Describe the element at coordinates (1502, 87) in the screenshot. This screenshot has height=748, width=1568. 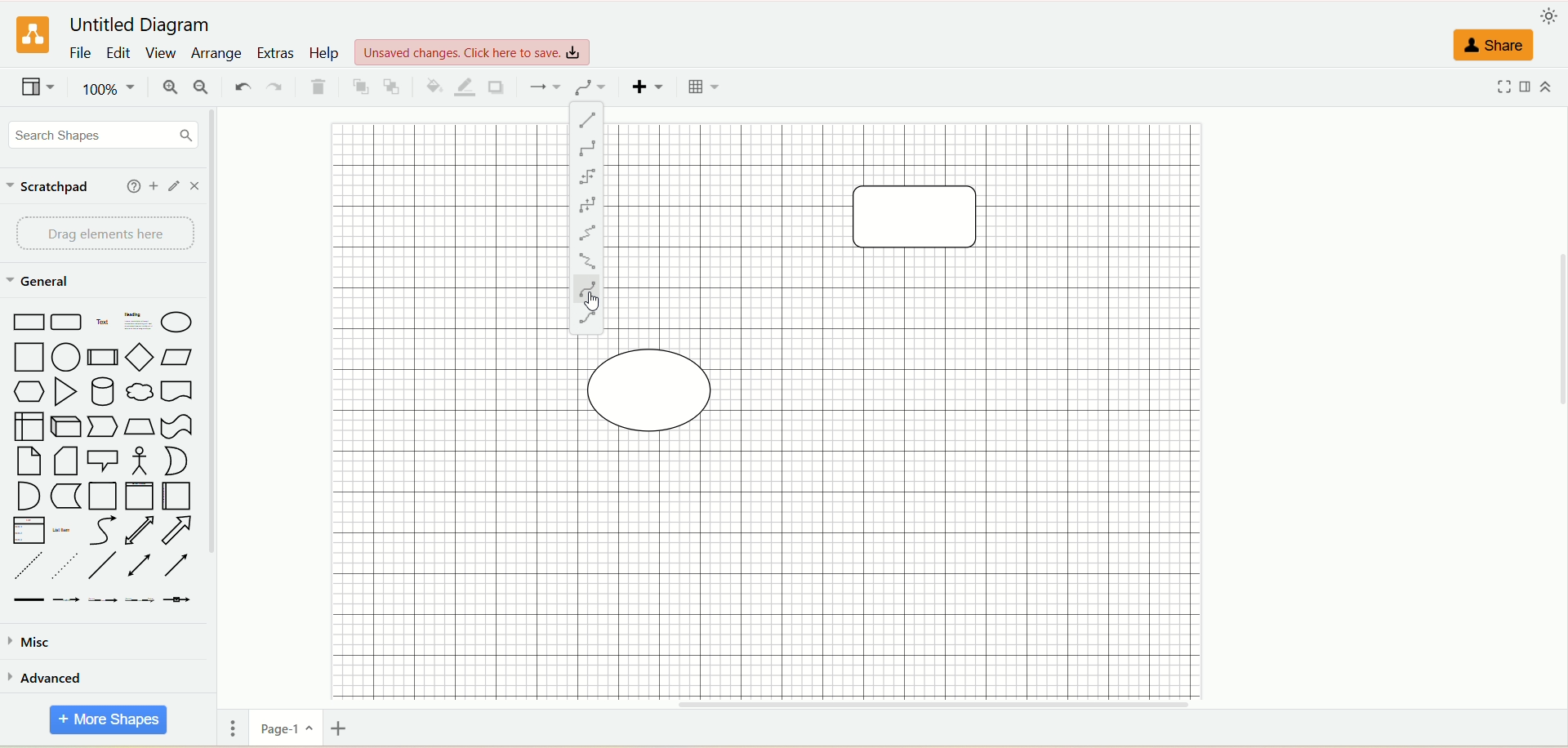
I see `fullscreen` at that location.